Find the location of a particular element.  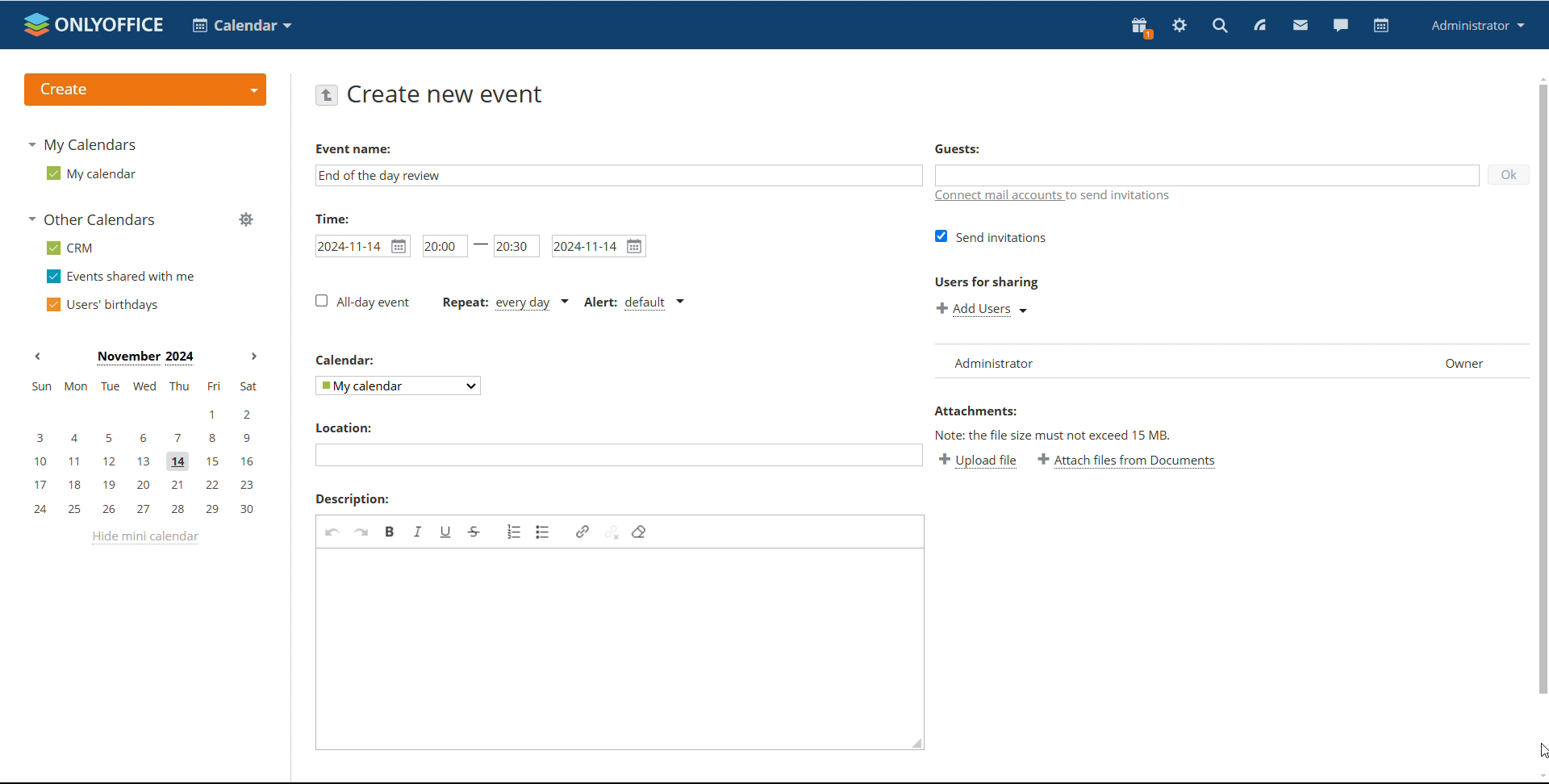

scrollbar is located at coordinates (1543, 389).